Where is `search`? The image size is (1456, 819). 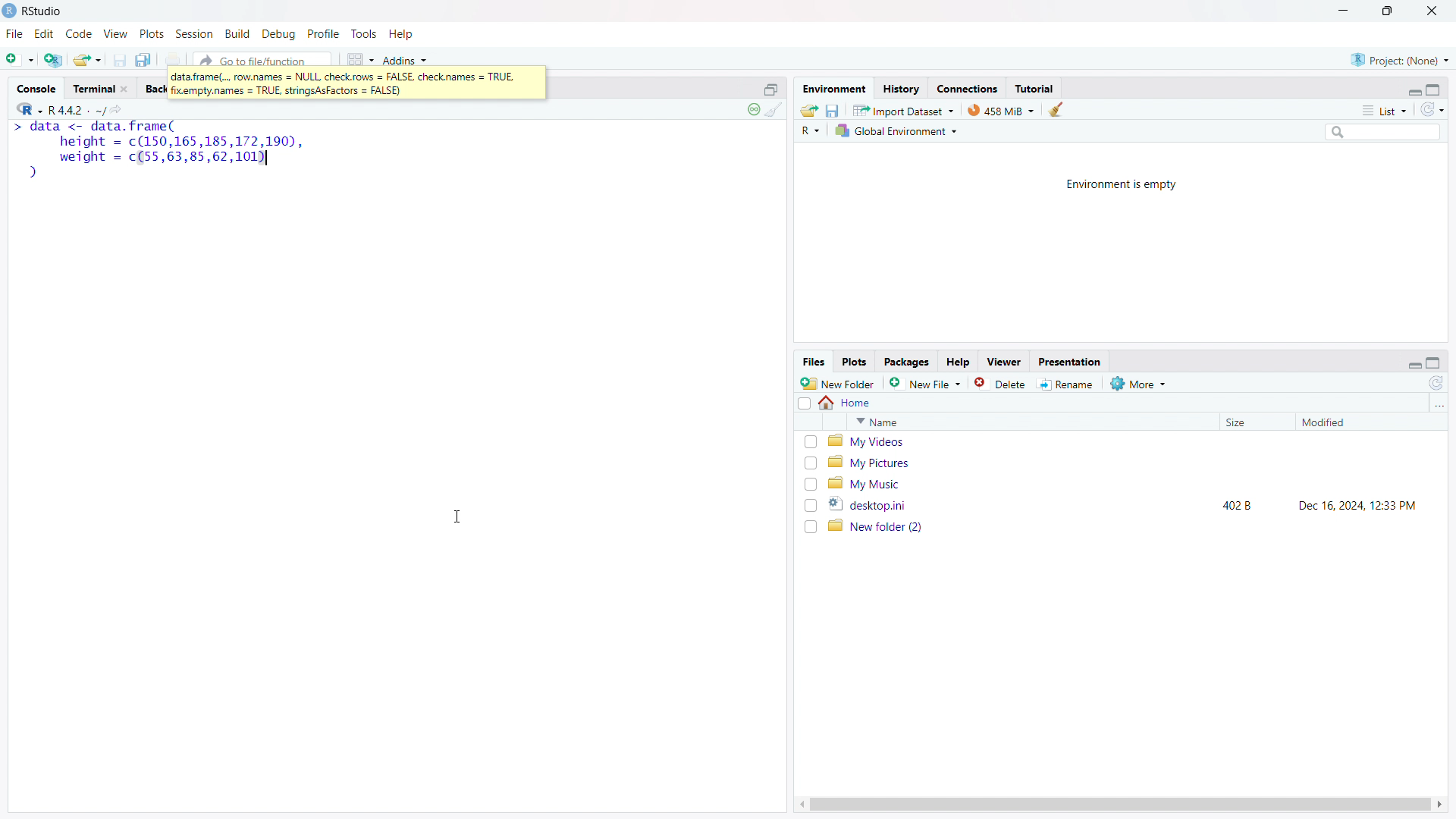
search is located at coordinates (1381, 131).